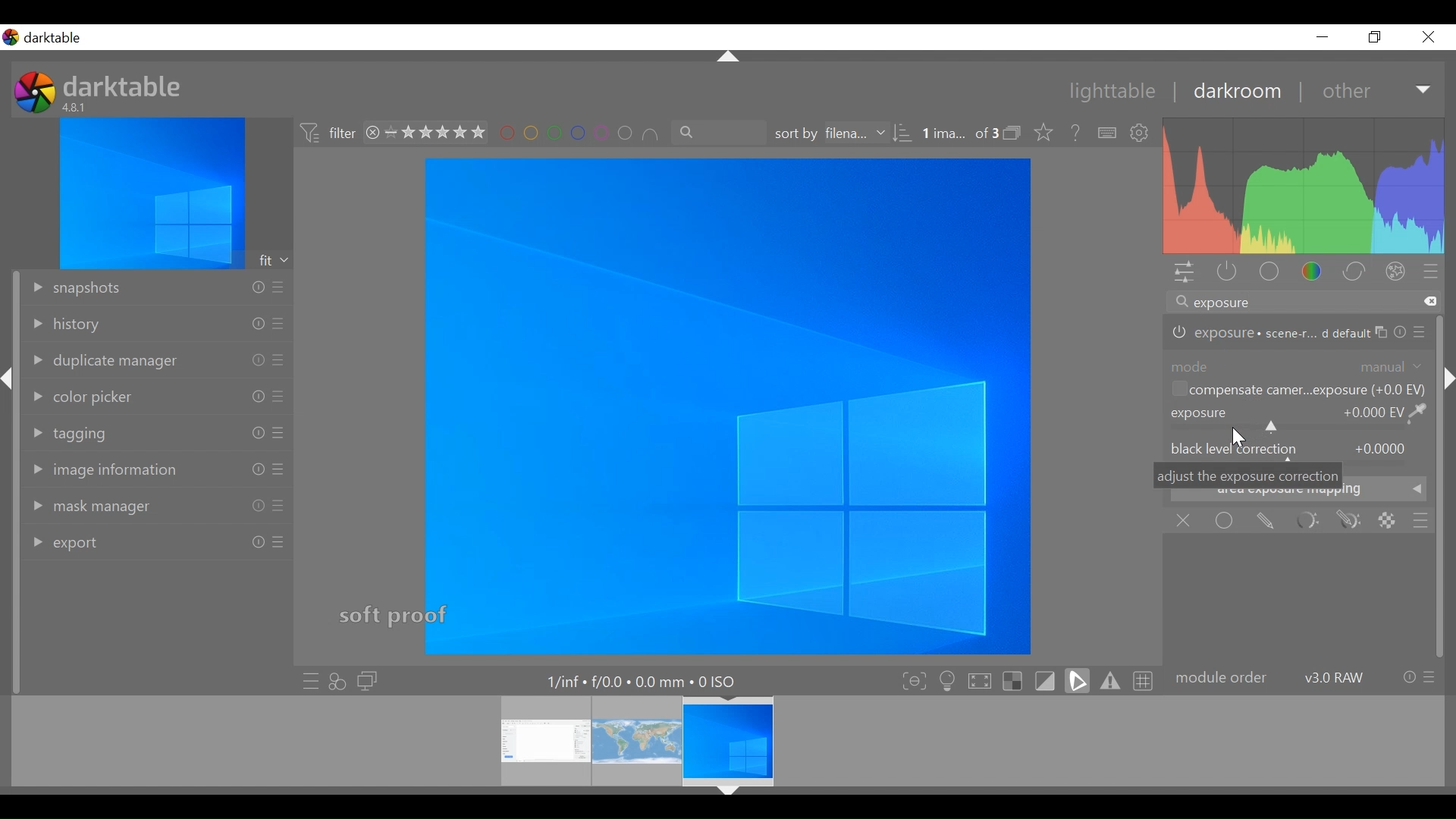 Image resolution: width=1456 pixels, height=819 pixels. Describe the element at coordinates (1231, 93) in the screenshot. I see `darkroom` at that location.